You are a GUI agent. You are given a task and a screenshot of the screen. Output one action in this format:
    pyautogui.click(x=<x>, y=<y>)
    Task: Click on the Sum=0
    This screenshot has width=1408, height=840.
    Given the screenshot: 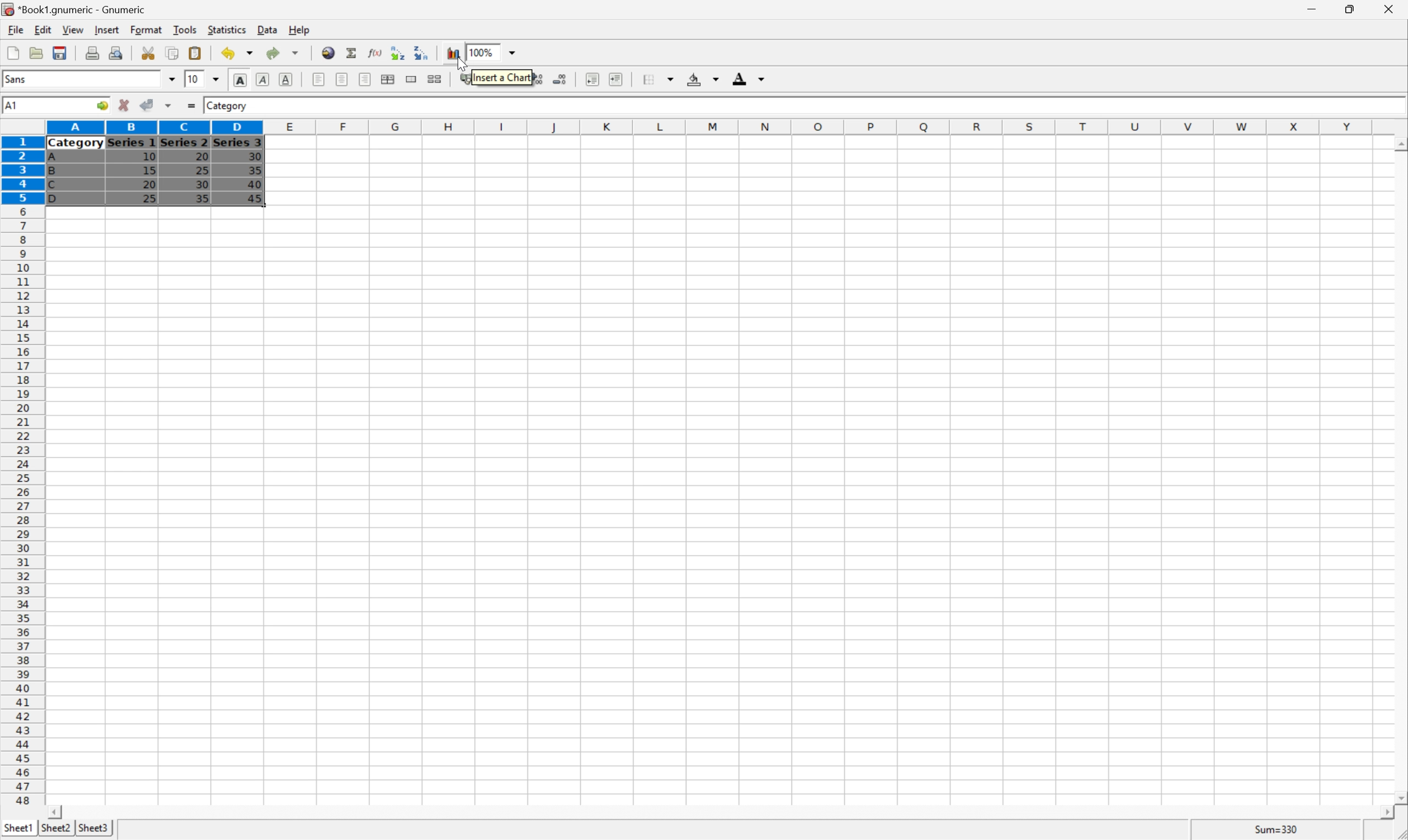 What is the action you would take?
    pyautogui.click(x=1279, y=832)
    